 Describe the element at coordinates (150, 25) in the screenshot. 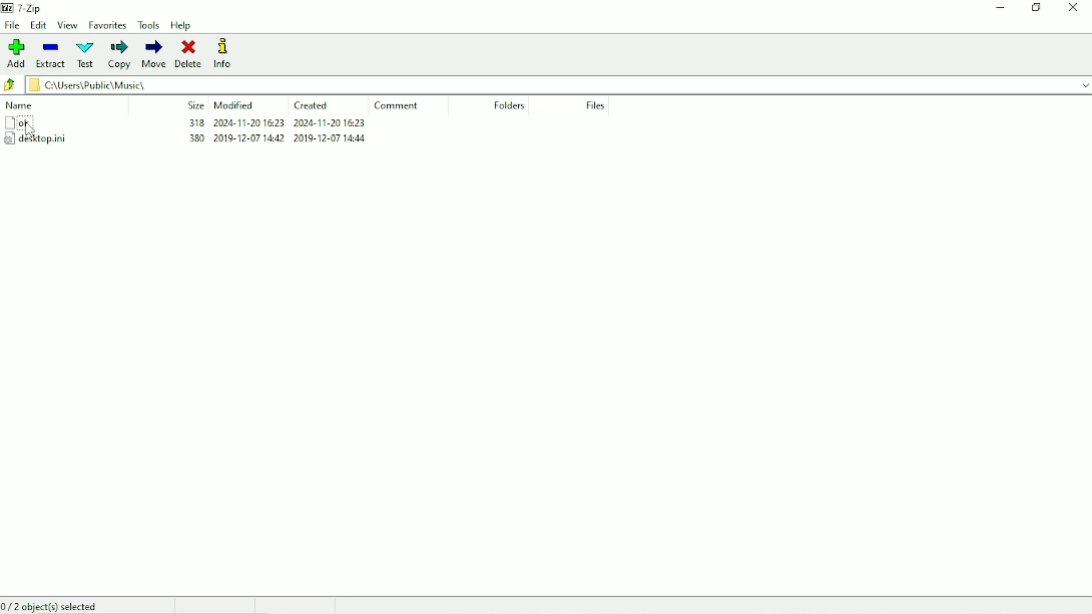

I see `Tools` at that location.